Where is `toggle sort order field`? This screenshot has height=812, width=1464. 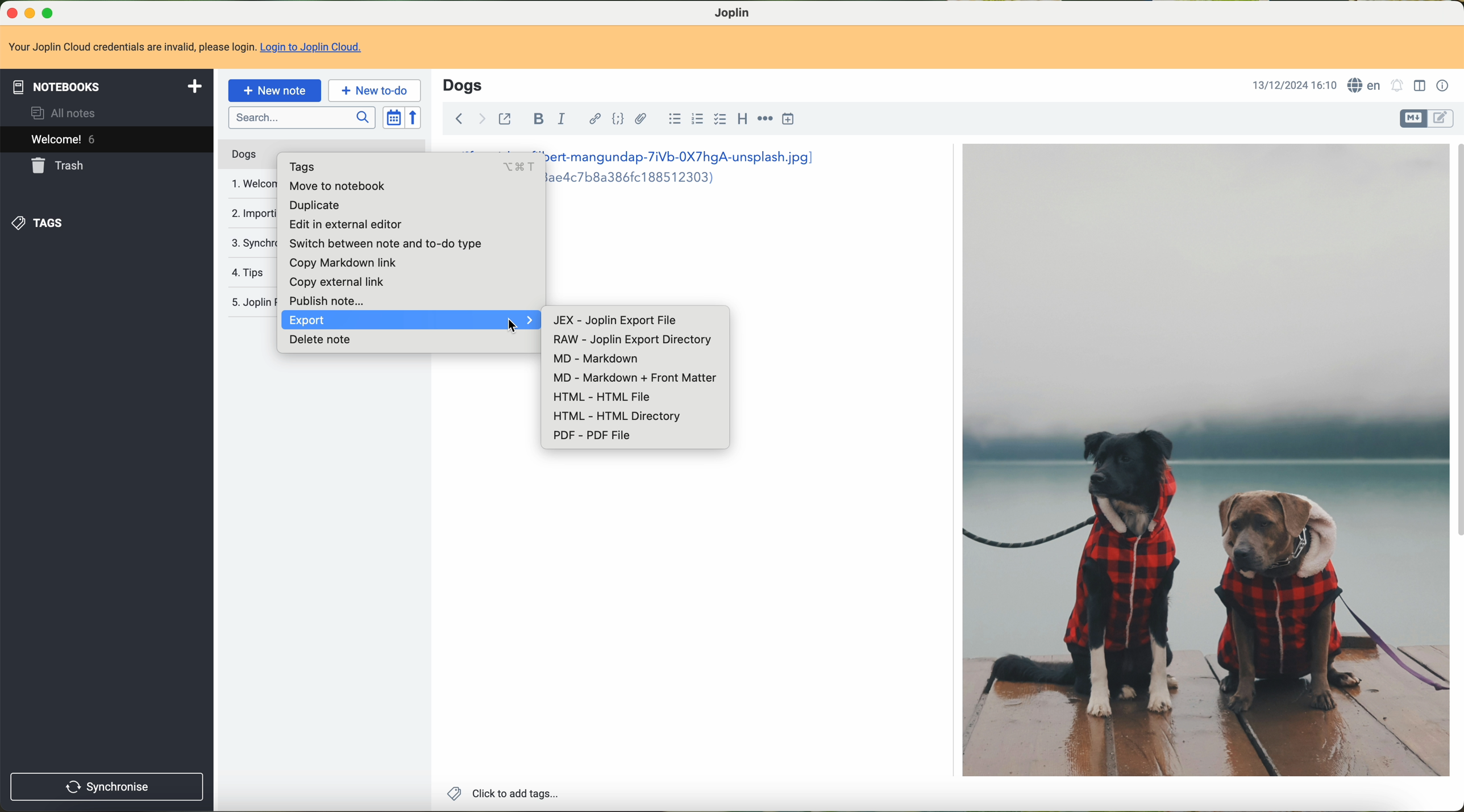 toggle sort order field is located at coordinates (393, 118).